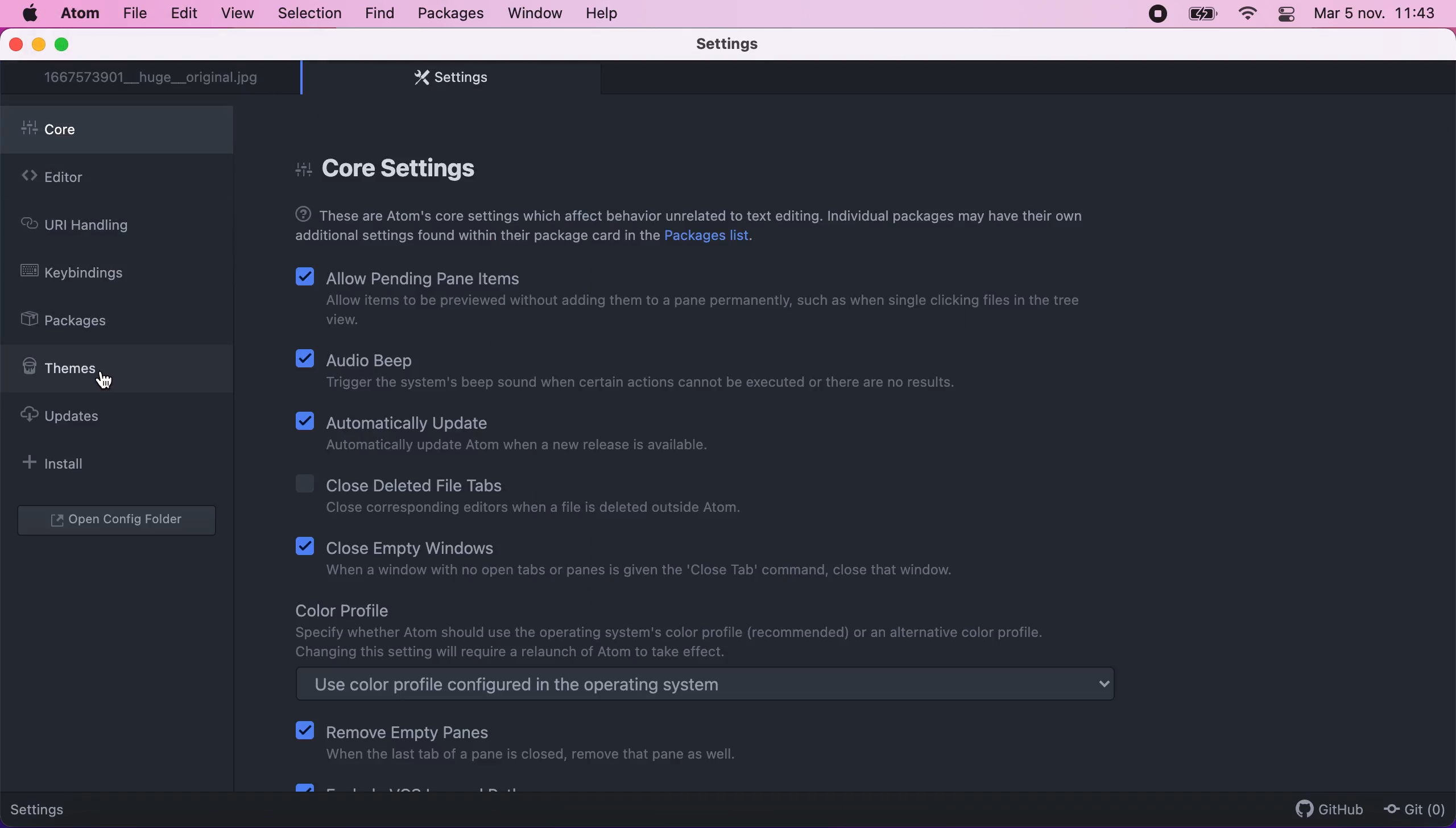  What do you see at coordinates (308, 14) in the screenshot?
I see `selection` at bounding box center [308, 14].